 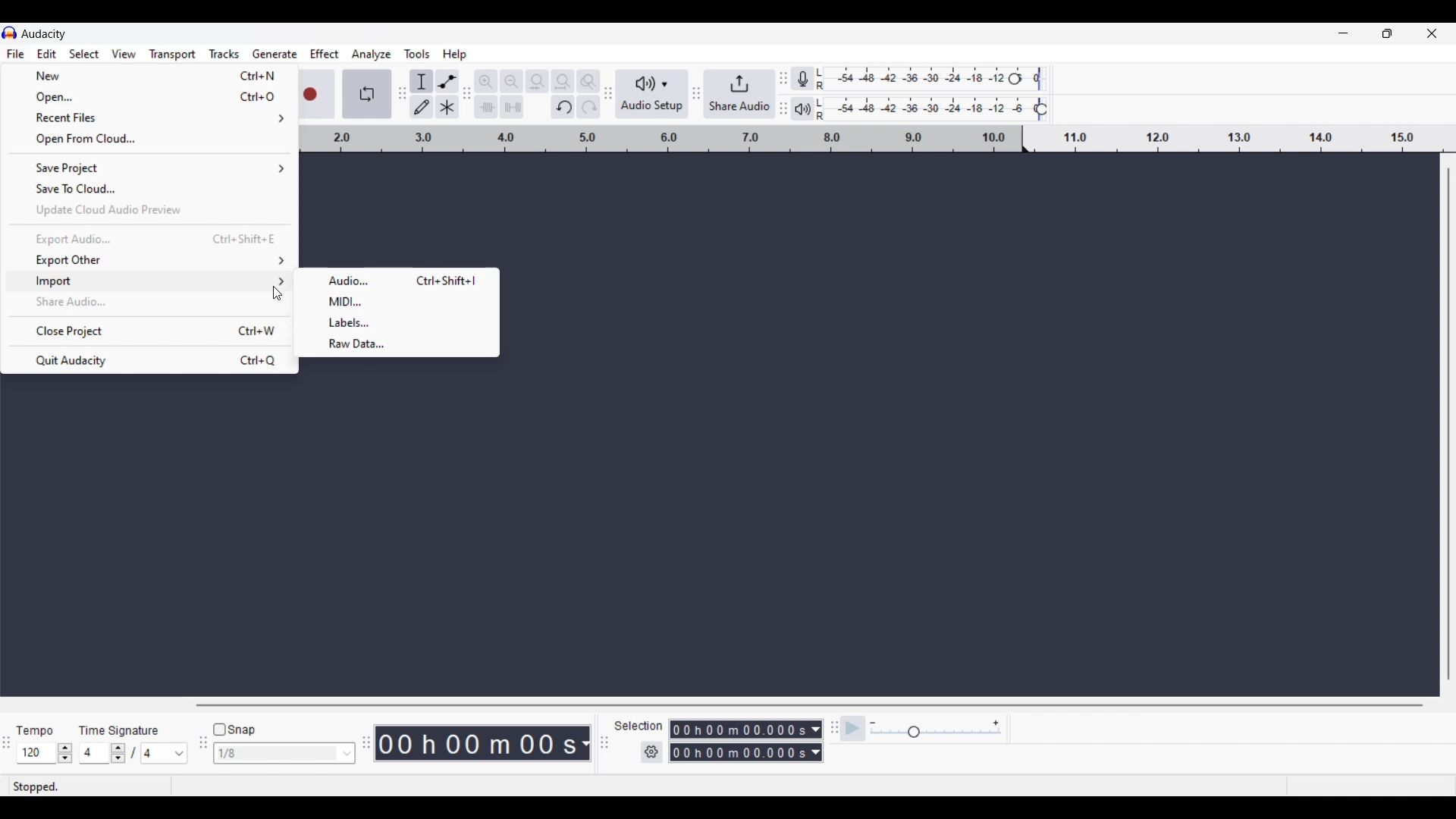 What do you see at coordinates (832, 727) in the screenshot?
I see `signature time tool bar` at bounding box center [832, 727].